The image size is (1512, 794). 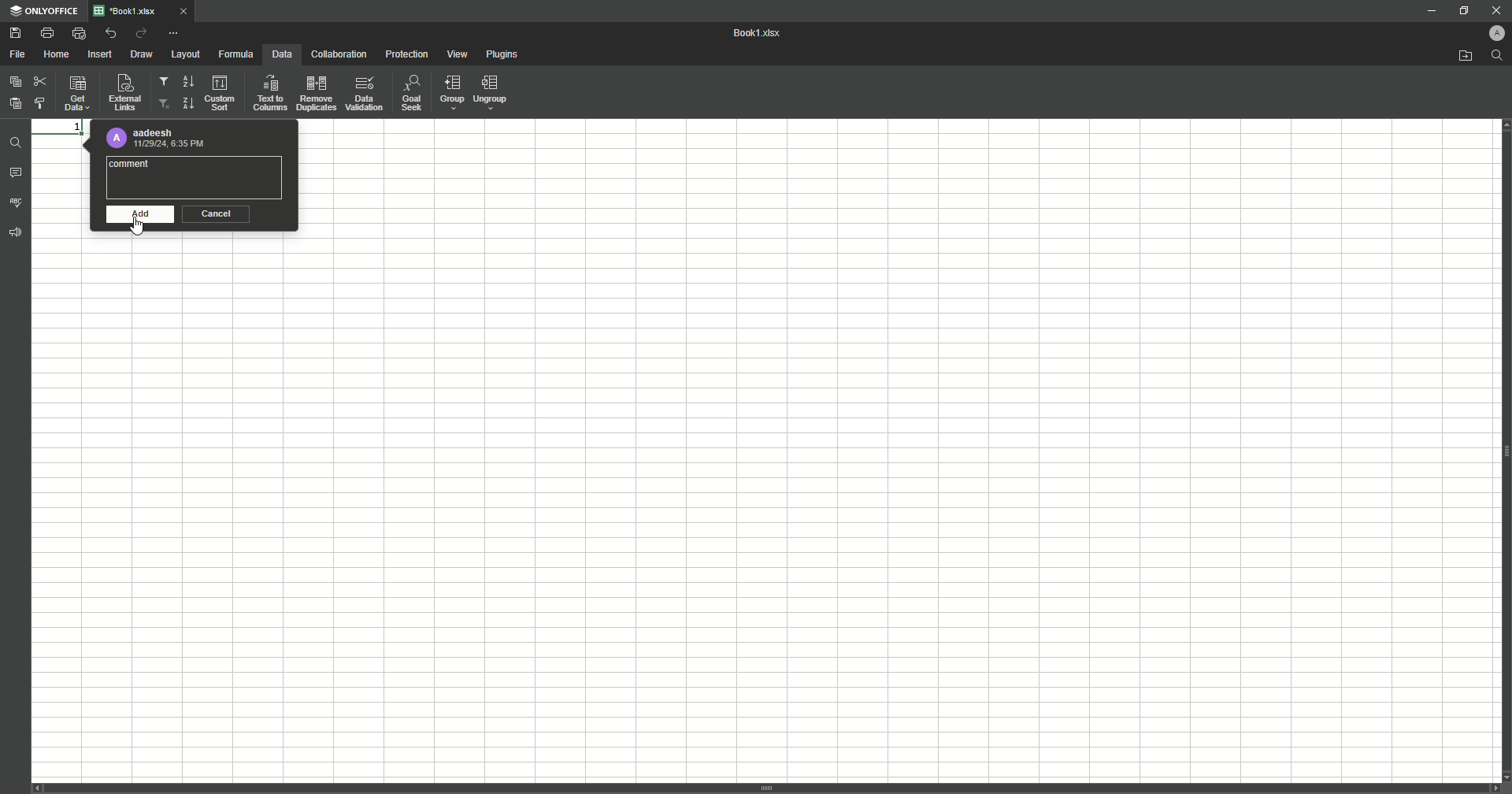 What do you see at coordinates (495, 93) in the screenshot?
I see `` at bounding box center [495, 93].